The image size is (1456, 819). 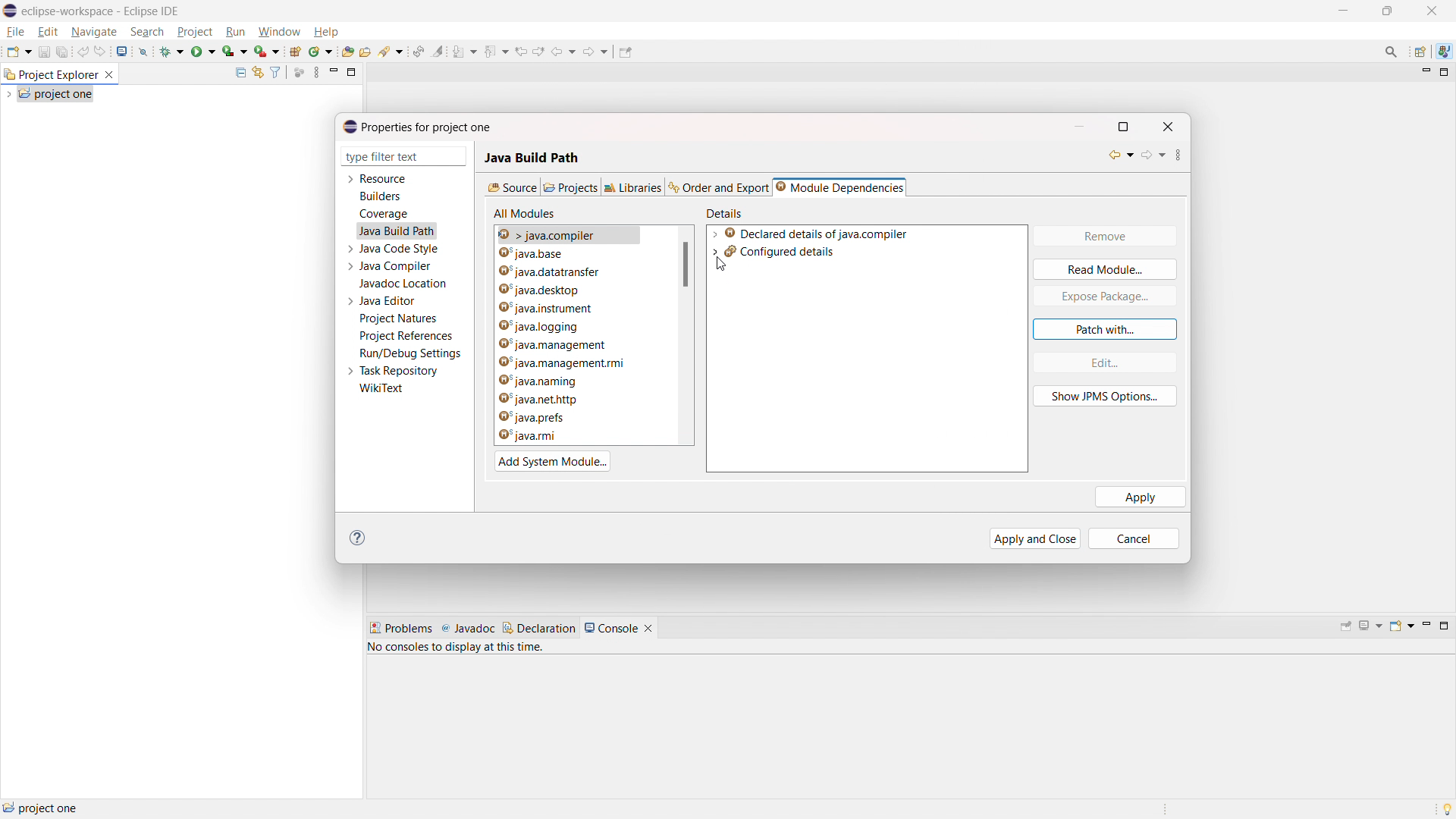 I want to click on maximize, so click(x=1342, y=11).